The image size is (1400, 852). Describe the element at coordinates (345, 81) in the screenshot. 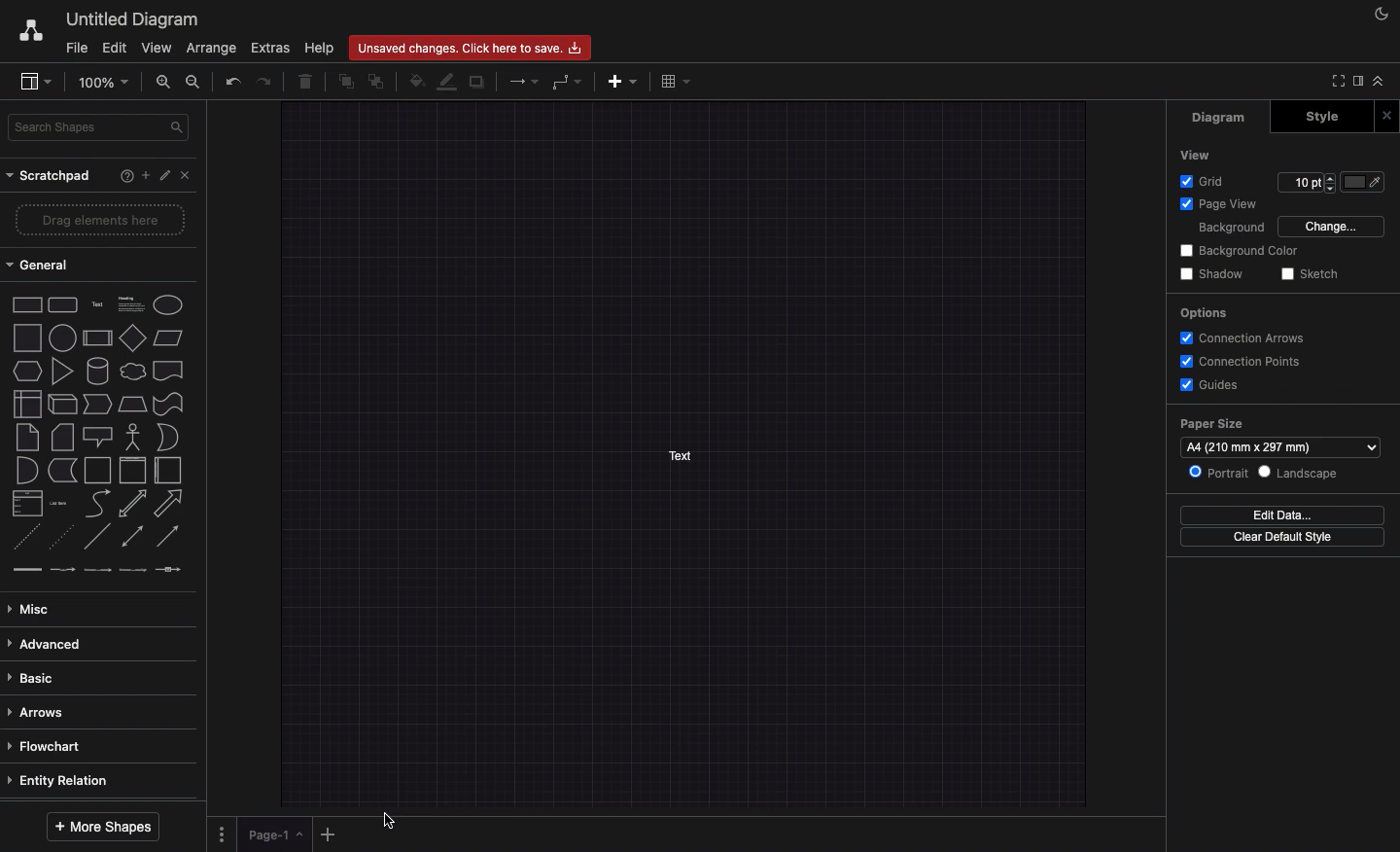

I see `To front` at that location.